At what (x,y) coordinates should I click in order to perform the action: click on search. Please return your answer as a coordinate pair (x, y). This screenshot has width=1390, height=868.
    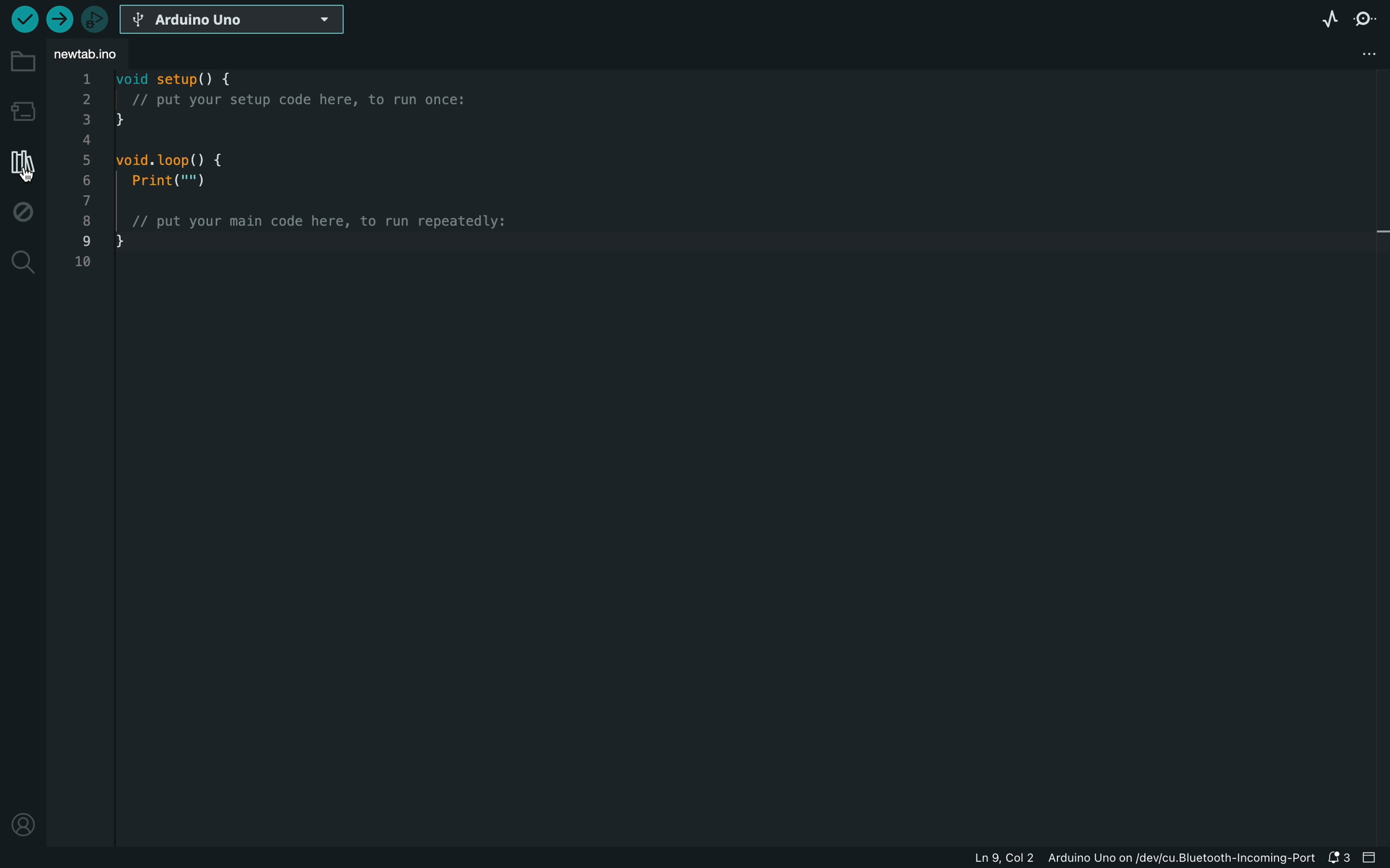
    Looking at the image, I should click on (21, 263).